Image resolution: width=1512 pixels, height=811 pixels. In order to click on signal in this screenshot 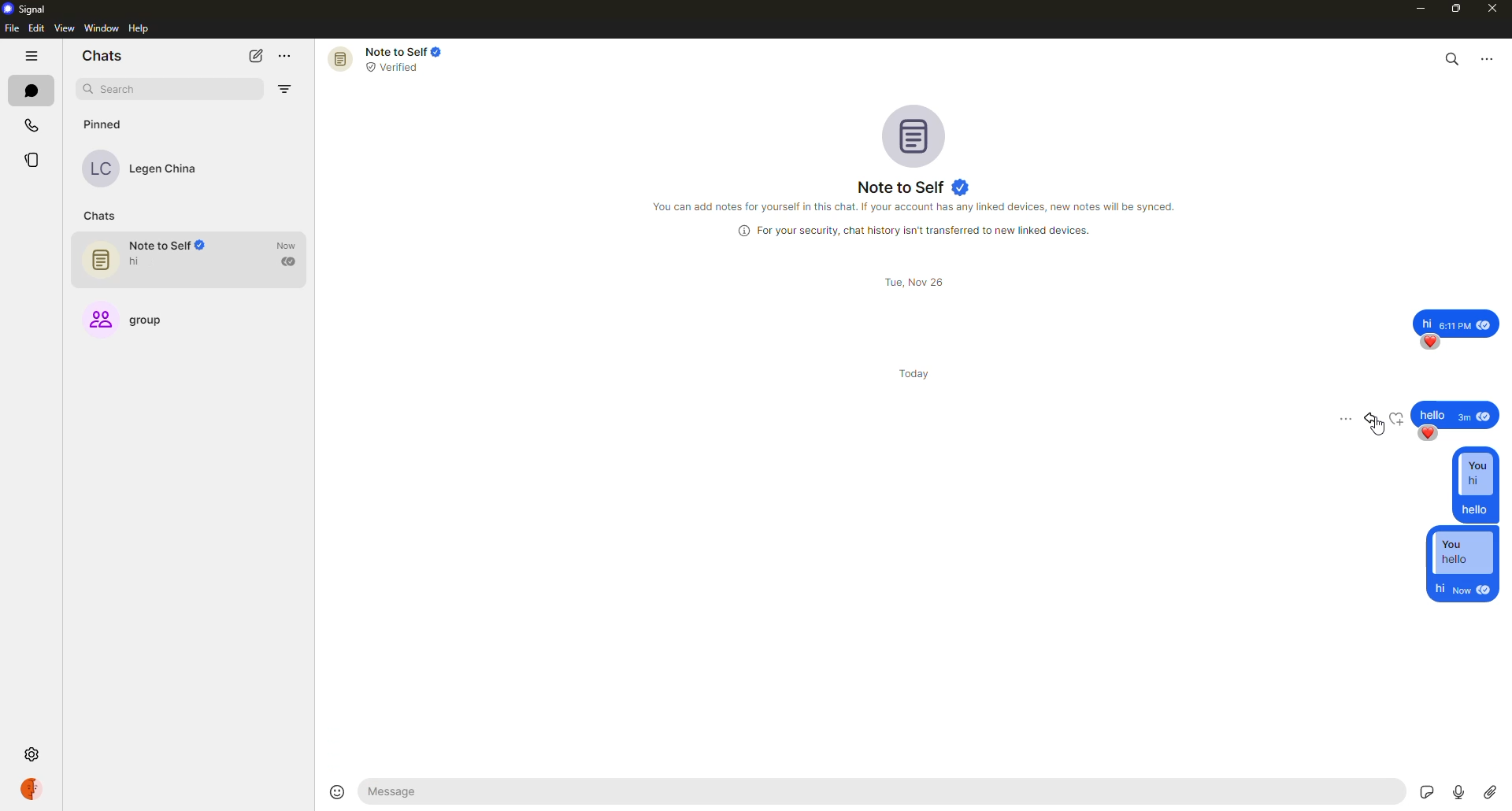, I will do `click(26, 9)`.